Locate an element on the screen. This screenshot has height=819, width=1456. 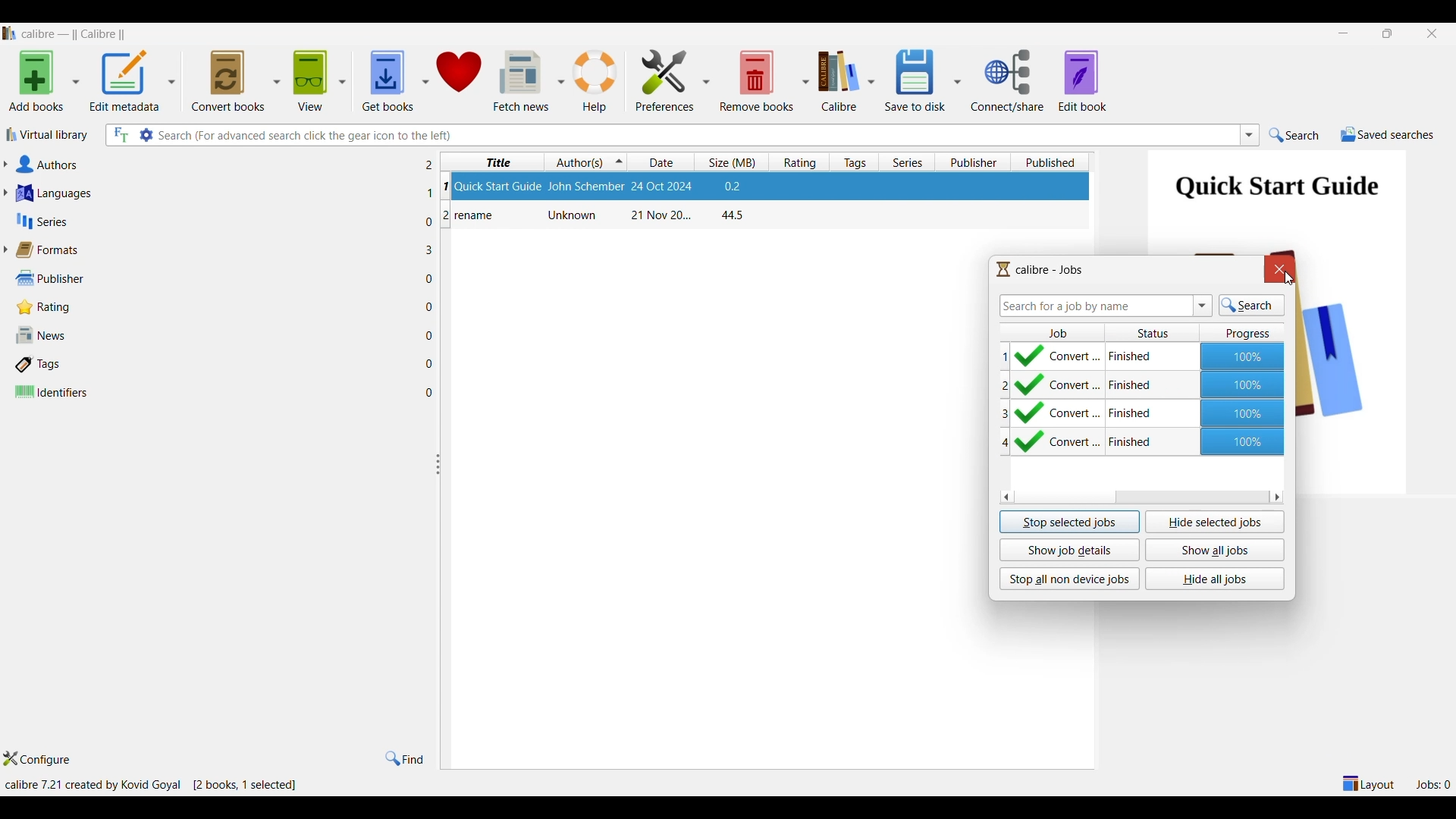
Book: Quick Start Guide is located at coordinates (764, 188).